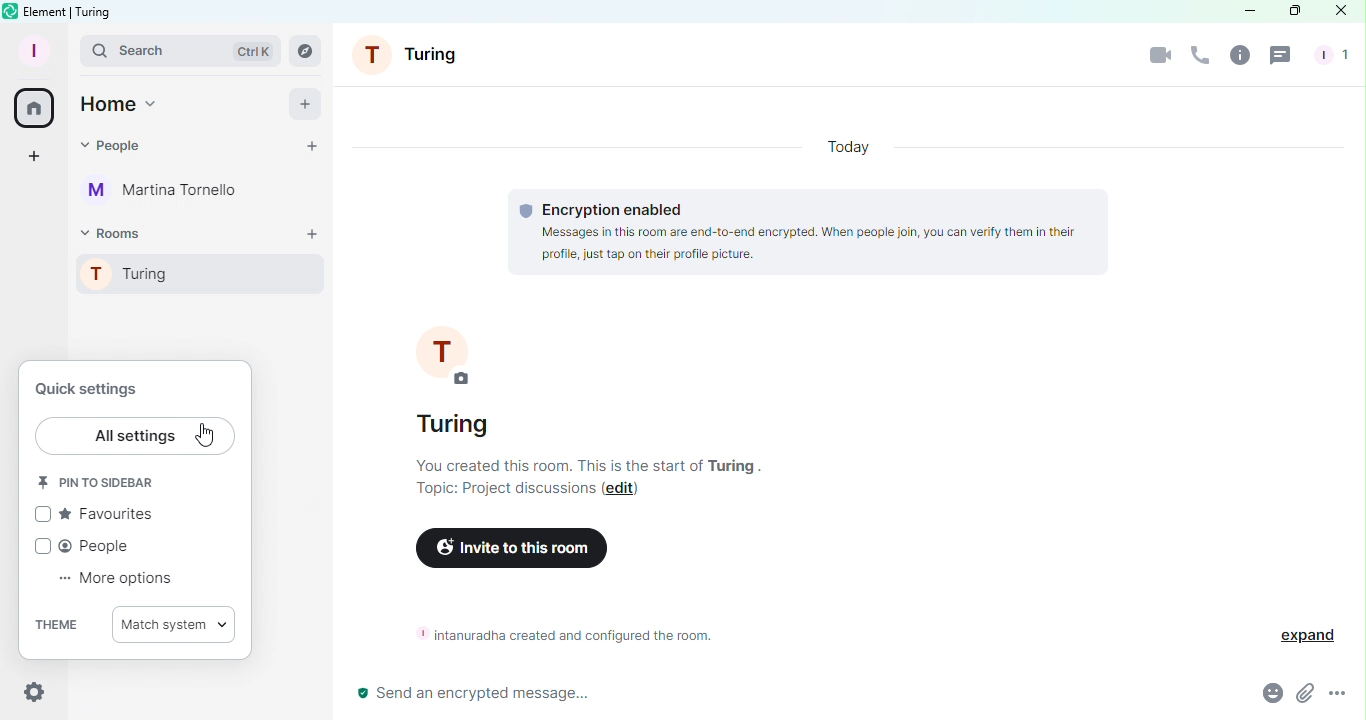 The width and height of the screenshot is (1366, 720). Describe the element at coordinates (114, 148) in the screenshot. I see `People` at that location.